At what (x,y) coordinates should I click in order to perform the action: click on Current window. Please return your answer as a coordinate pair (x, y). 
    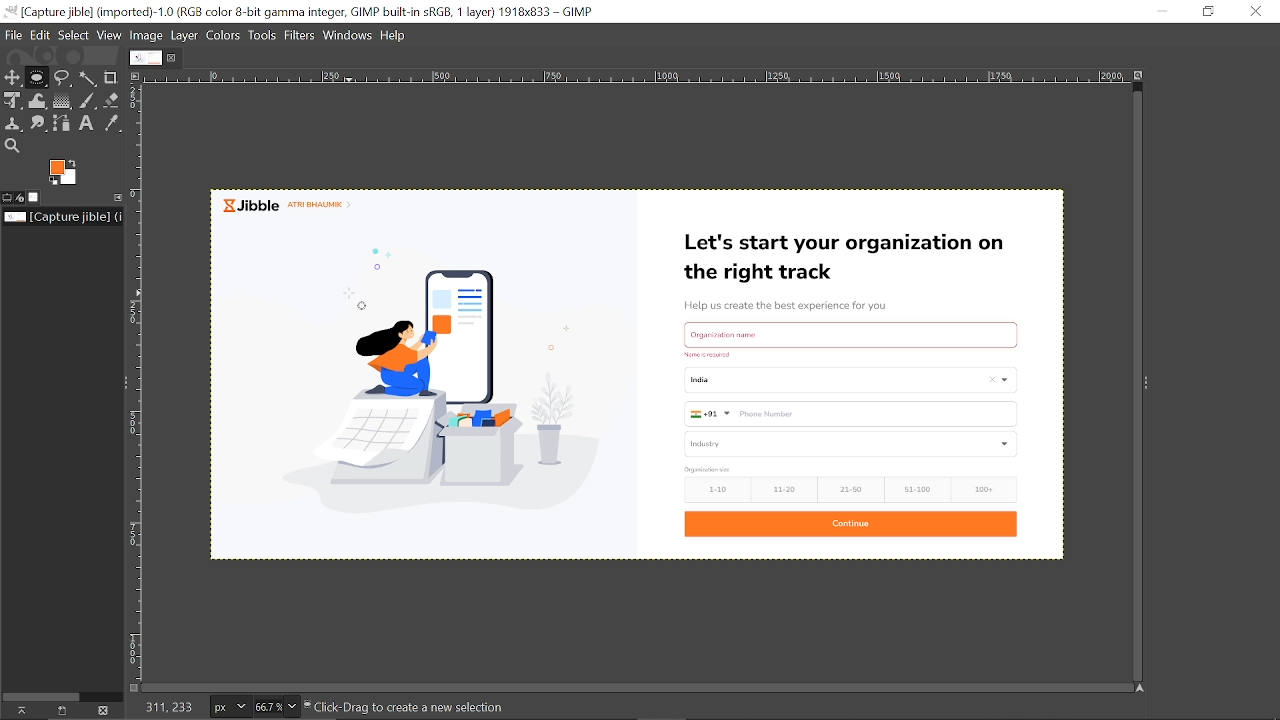
    Looking at the image, I should click on (305, 13).